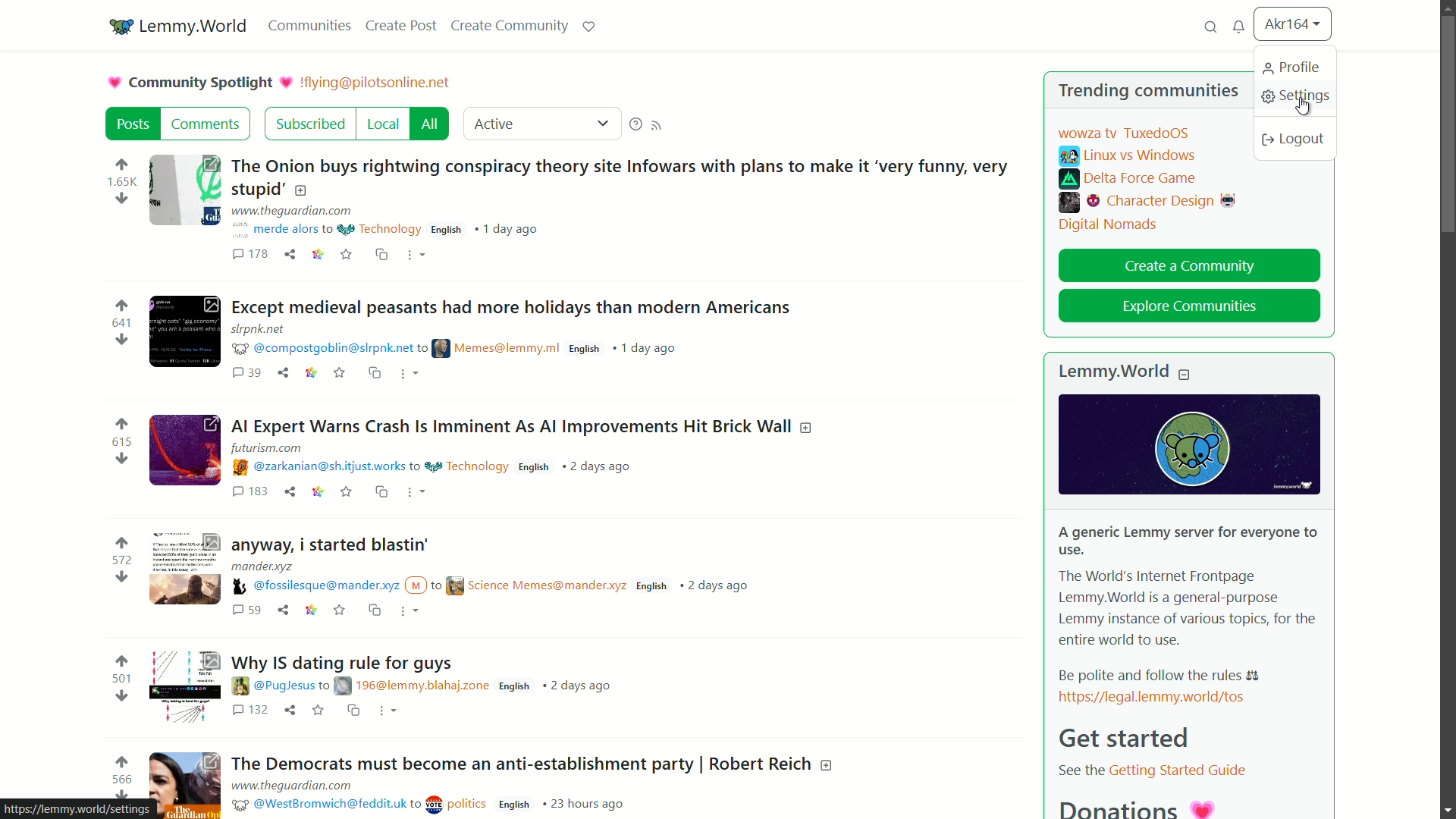 This screenshot has height=819, width=1456. Describe the element at coordinates (1170, 696) in the screenshot. I see `link` at that location.